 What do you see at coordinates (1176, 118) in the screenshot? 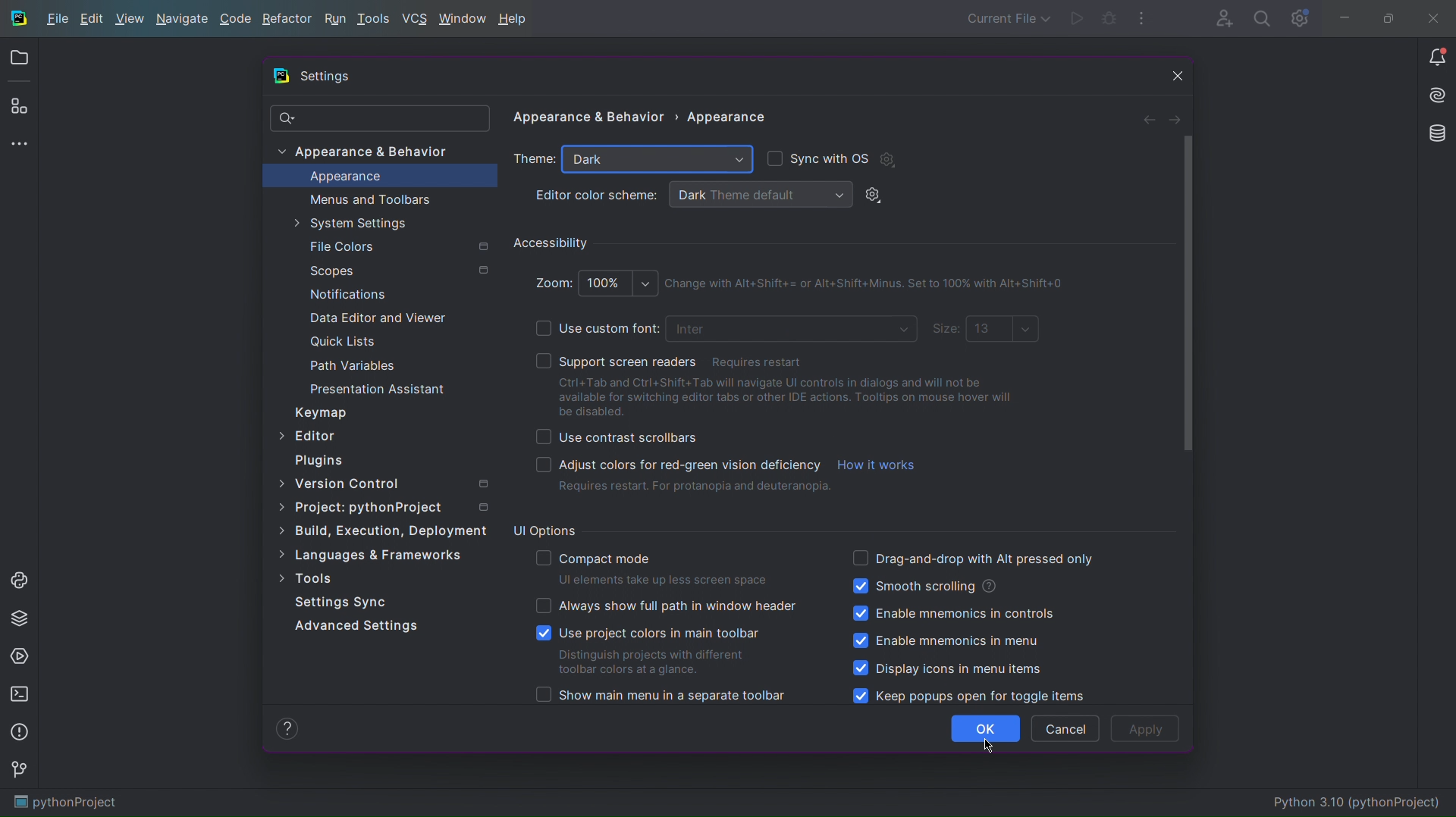
I see `Next` at bounding box center [1176, 118].